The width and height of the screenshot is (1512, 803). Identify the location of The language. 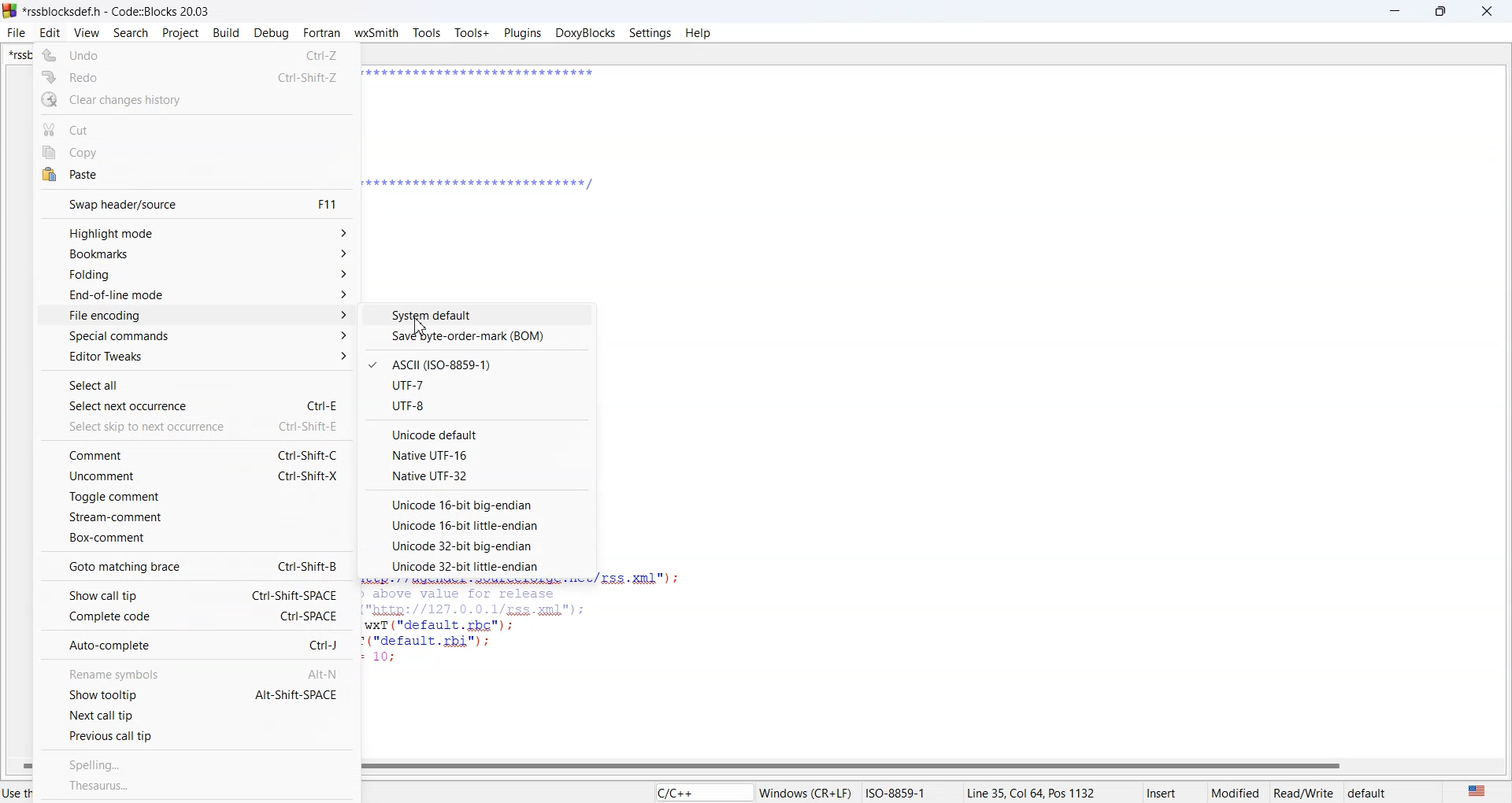
(1475, 790).